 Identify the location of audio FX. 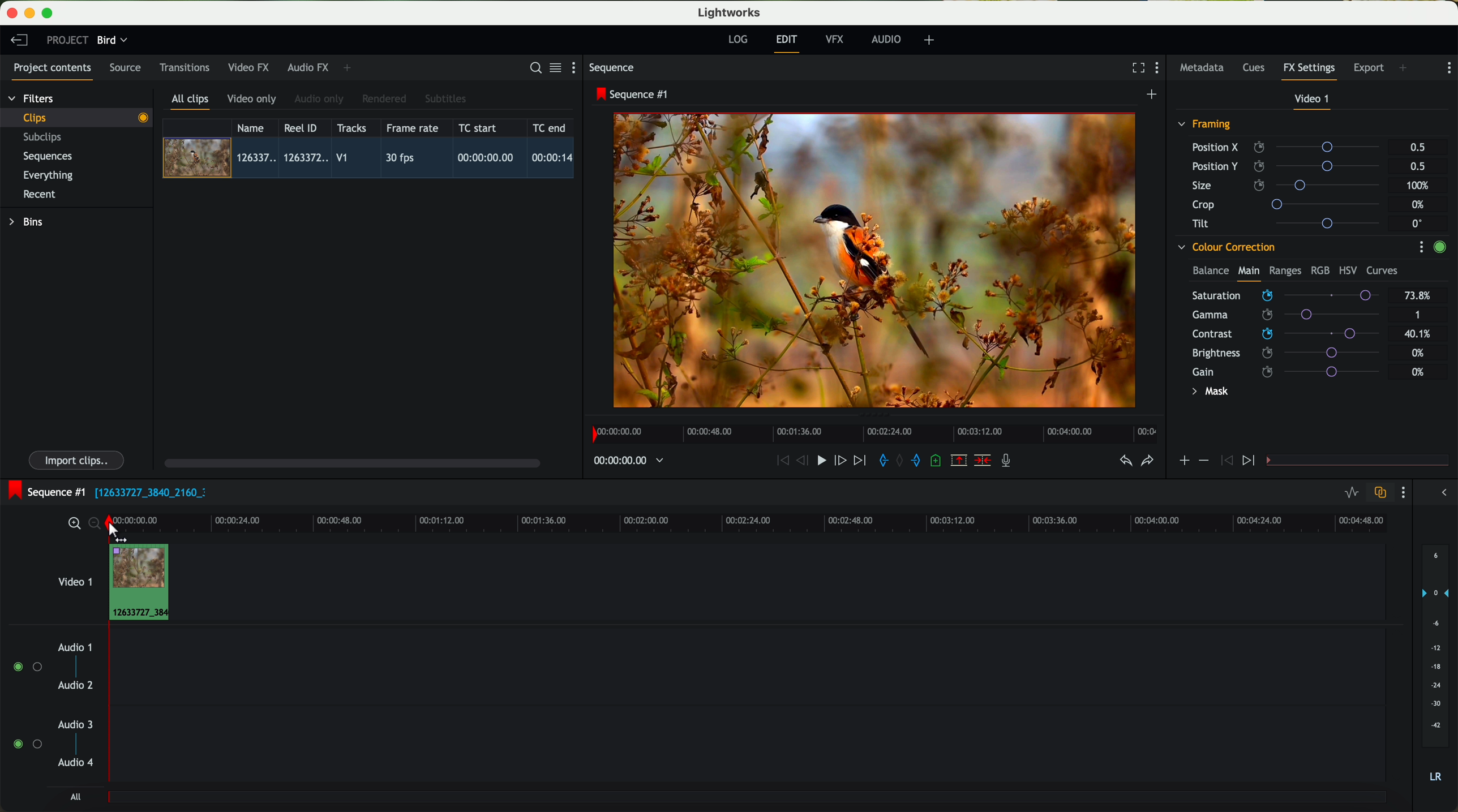
(308, 67).